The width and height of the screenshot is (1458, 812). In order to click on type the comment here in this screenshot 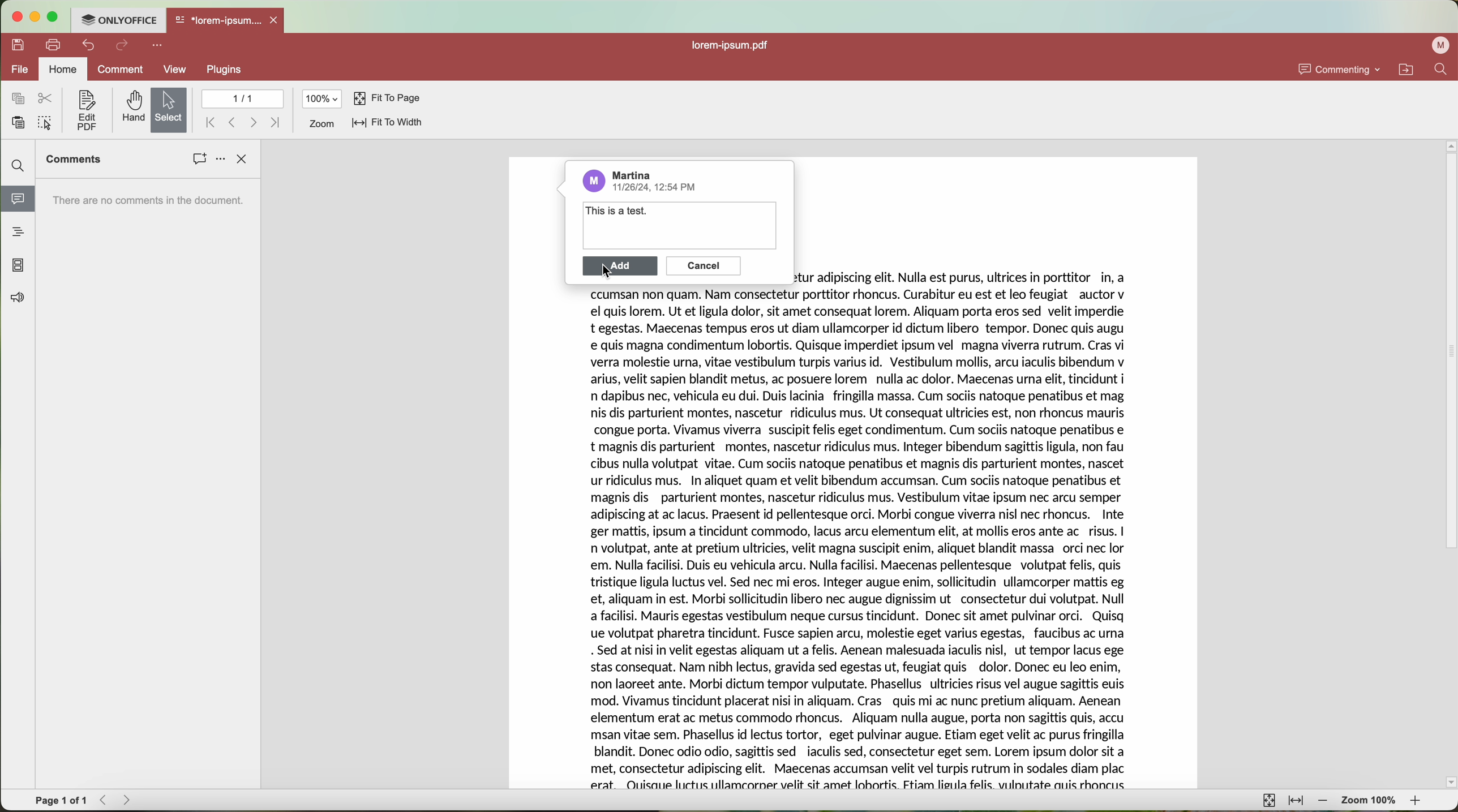, I will do `click(675, 227)`.